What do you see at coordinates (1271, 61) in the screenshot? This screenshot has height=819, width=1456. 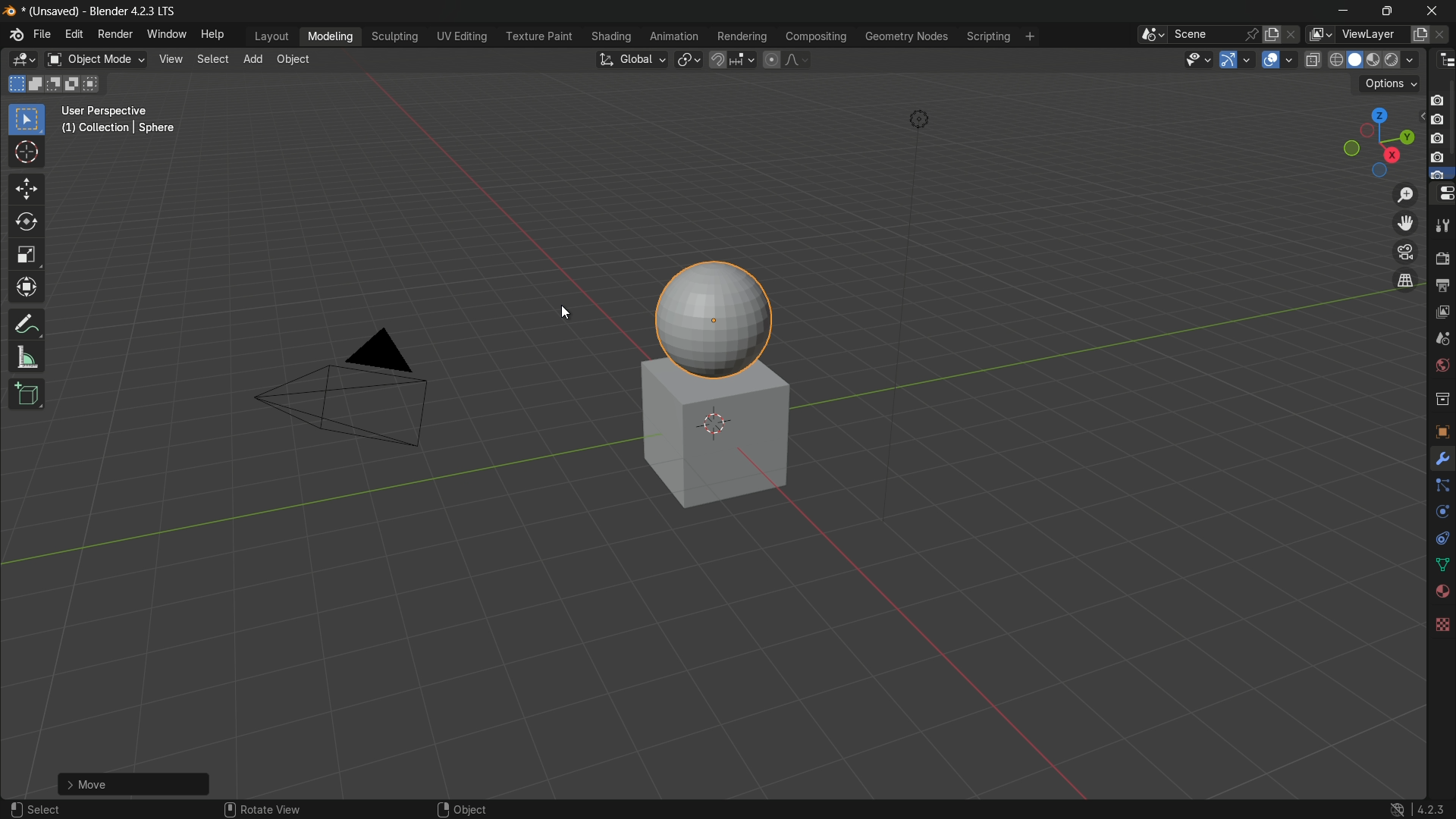 I see `show overlay` at bounding box center [1271, 61].